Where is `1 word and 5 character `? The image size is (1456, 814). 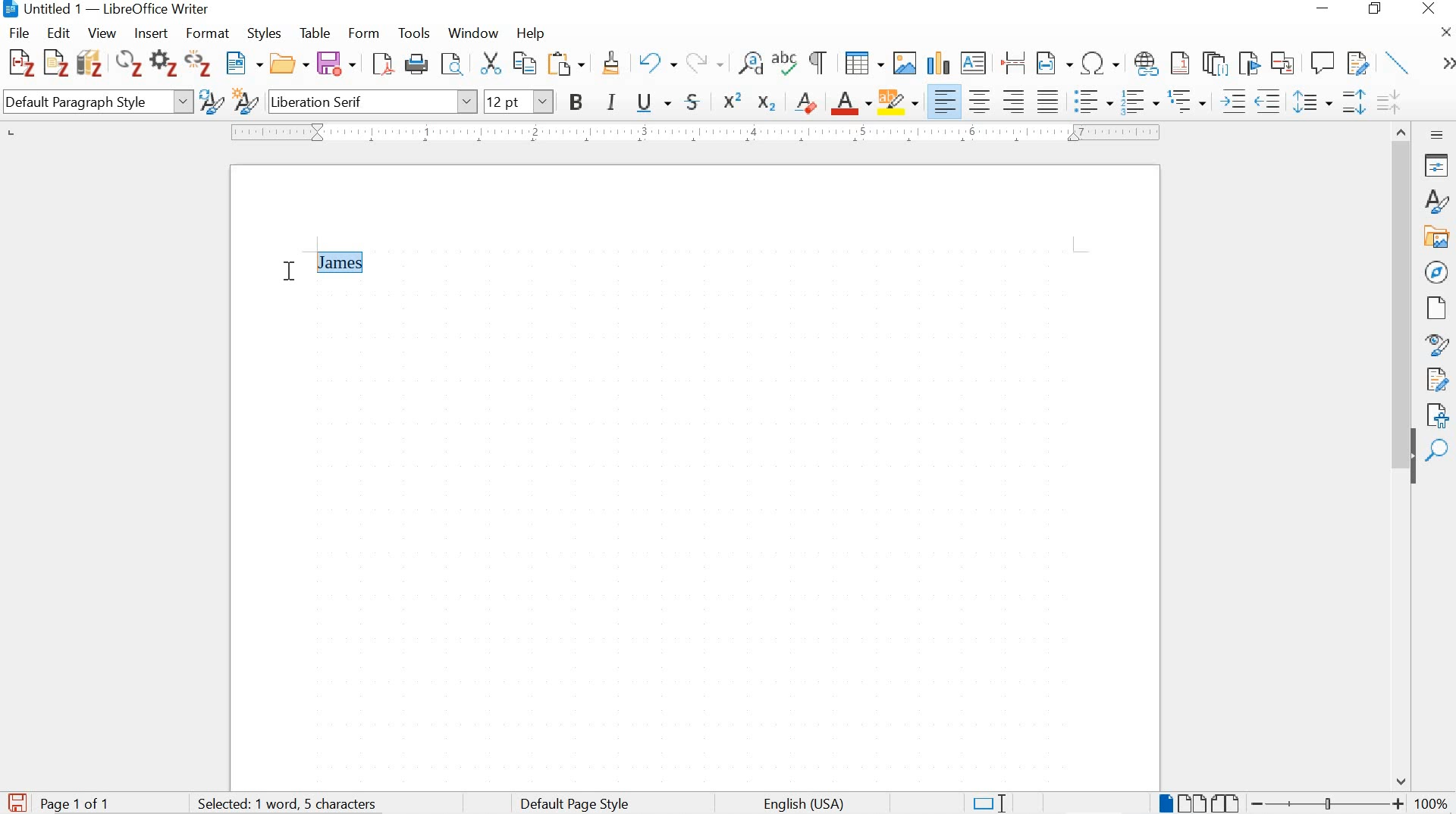
1 word and 5 character  is located at coordinates (292, 804).